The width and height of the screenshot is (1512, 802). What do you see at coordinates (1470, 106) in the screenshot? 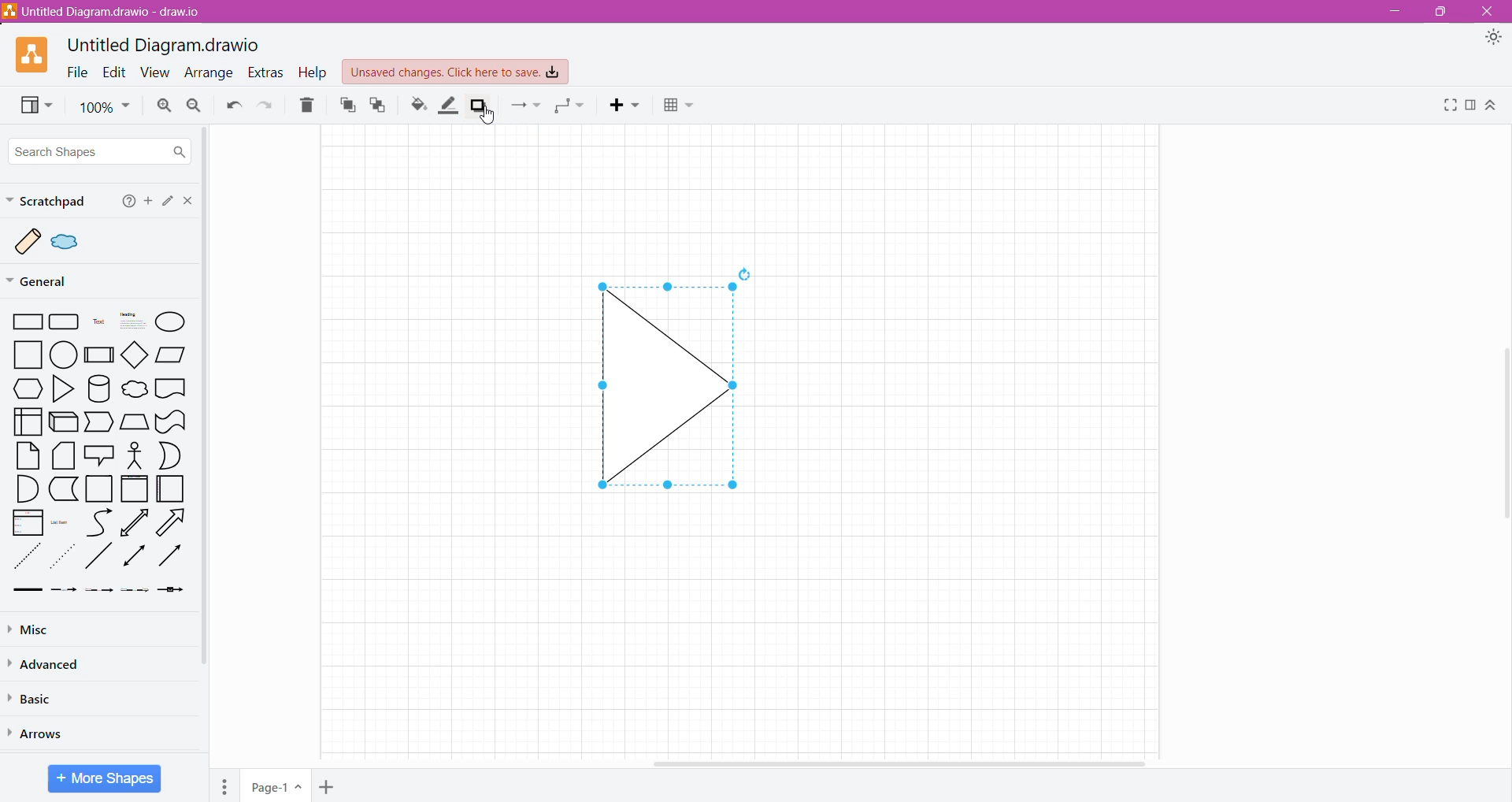
I see `Format` at bounding box center [1470, 106].